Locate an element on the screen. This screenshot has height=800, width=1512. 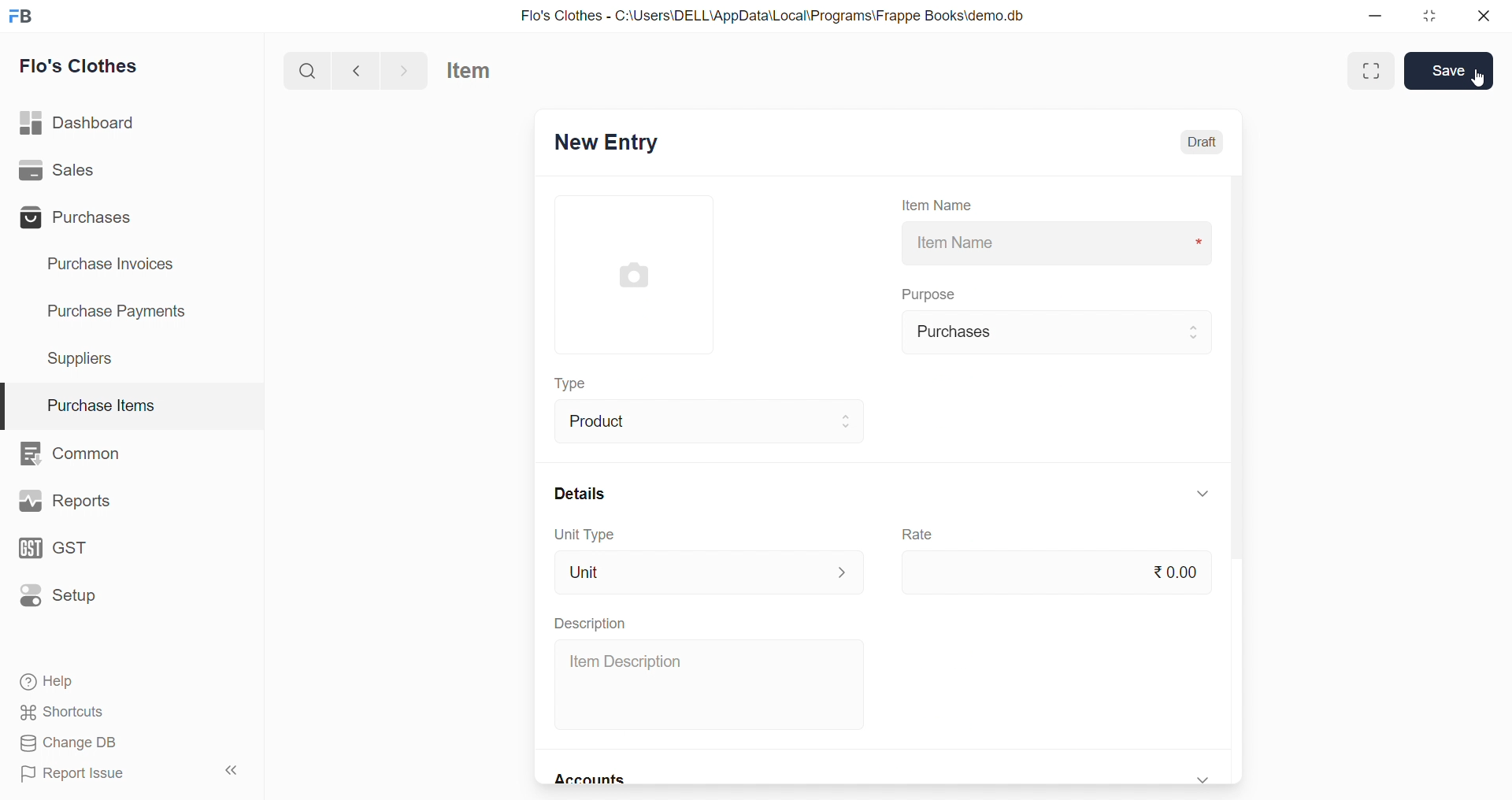
Sales is located at coordinates (81, 171).